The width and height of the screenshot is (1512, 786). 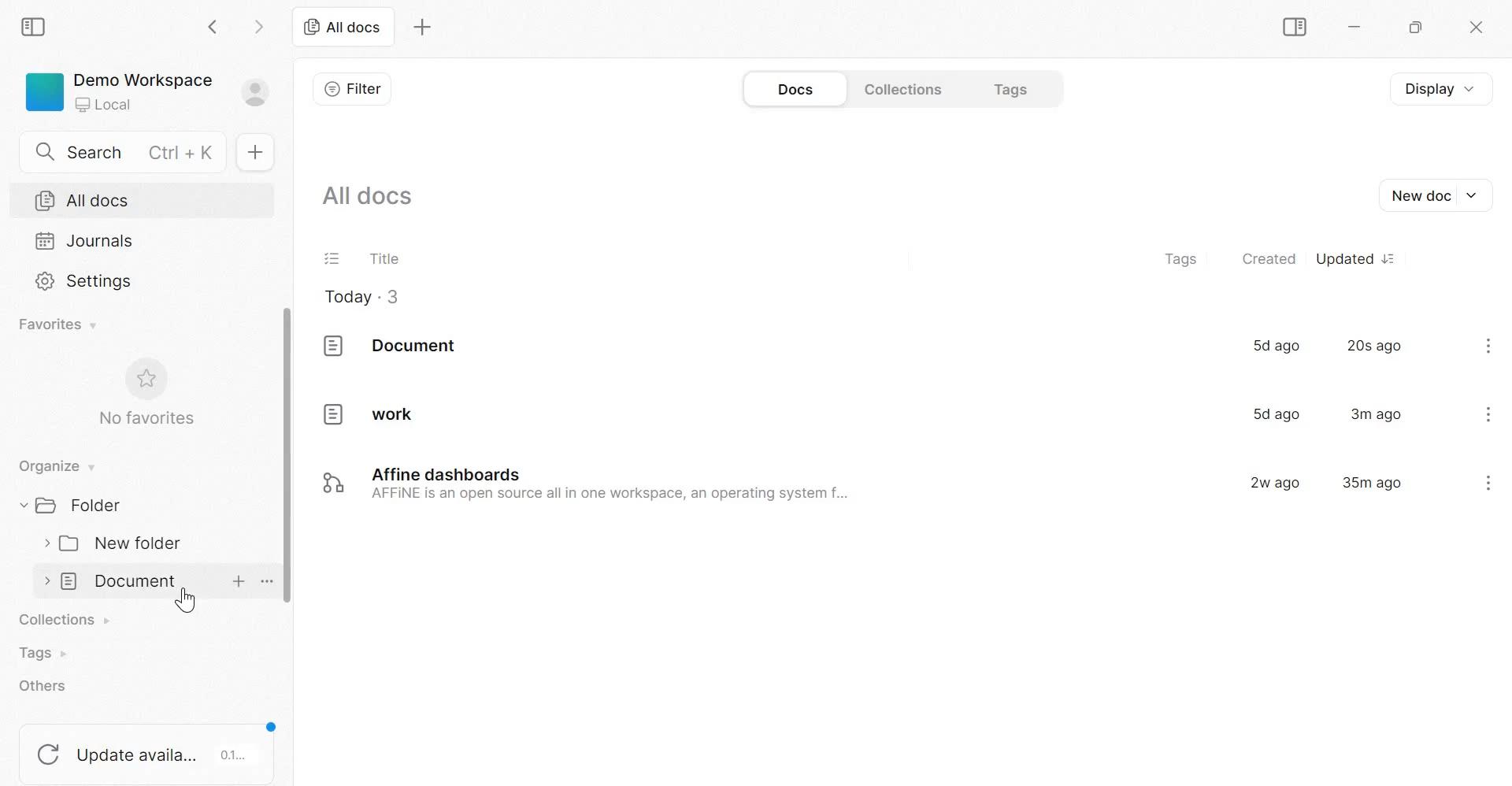 What do you see at coordinates (55, 464) in the screenshot?
I see `Organize` at bounding box center [55, 464].